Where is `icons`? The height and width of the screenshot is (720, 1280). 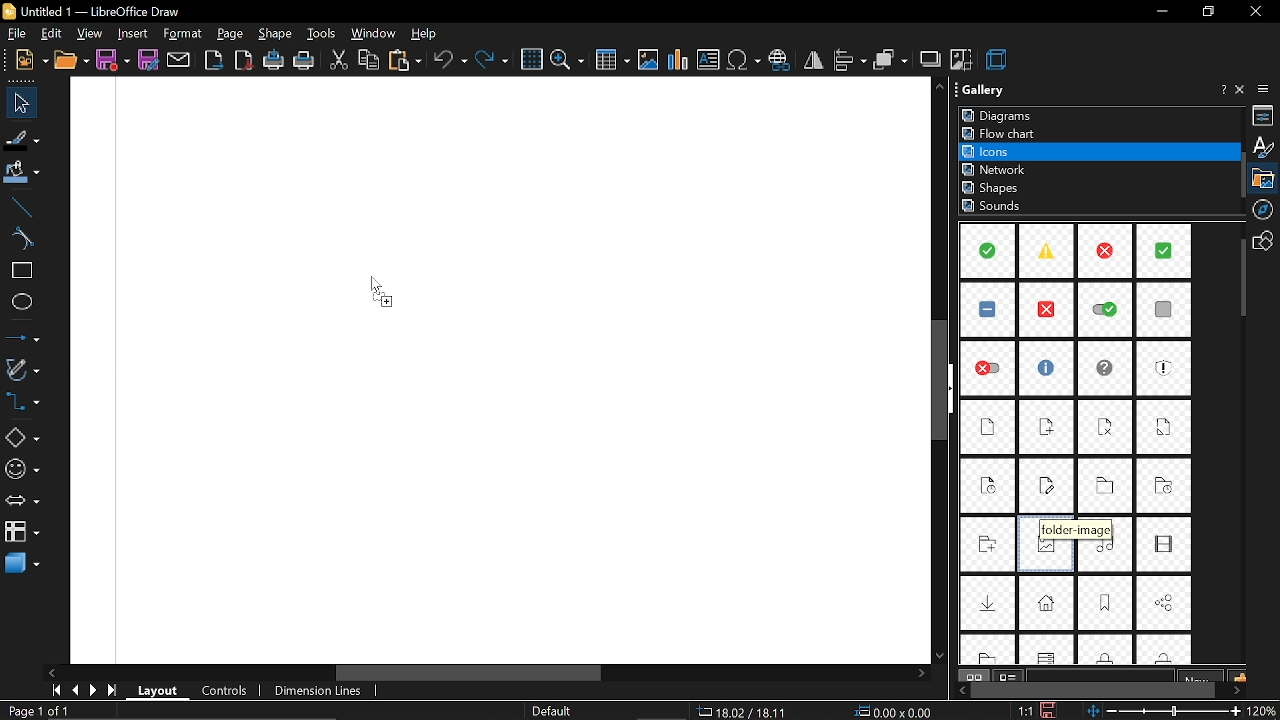
icons is located at coordinates (999, 151).